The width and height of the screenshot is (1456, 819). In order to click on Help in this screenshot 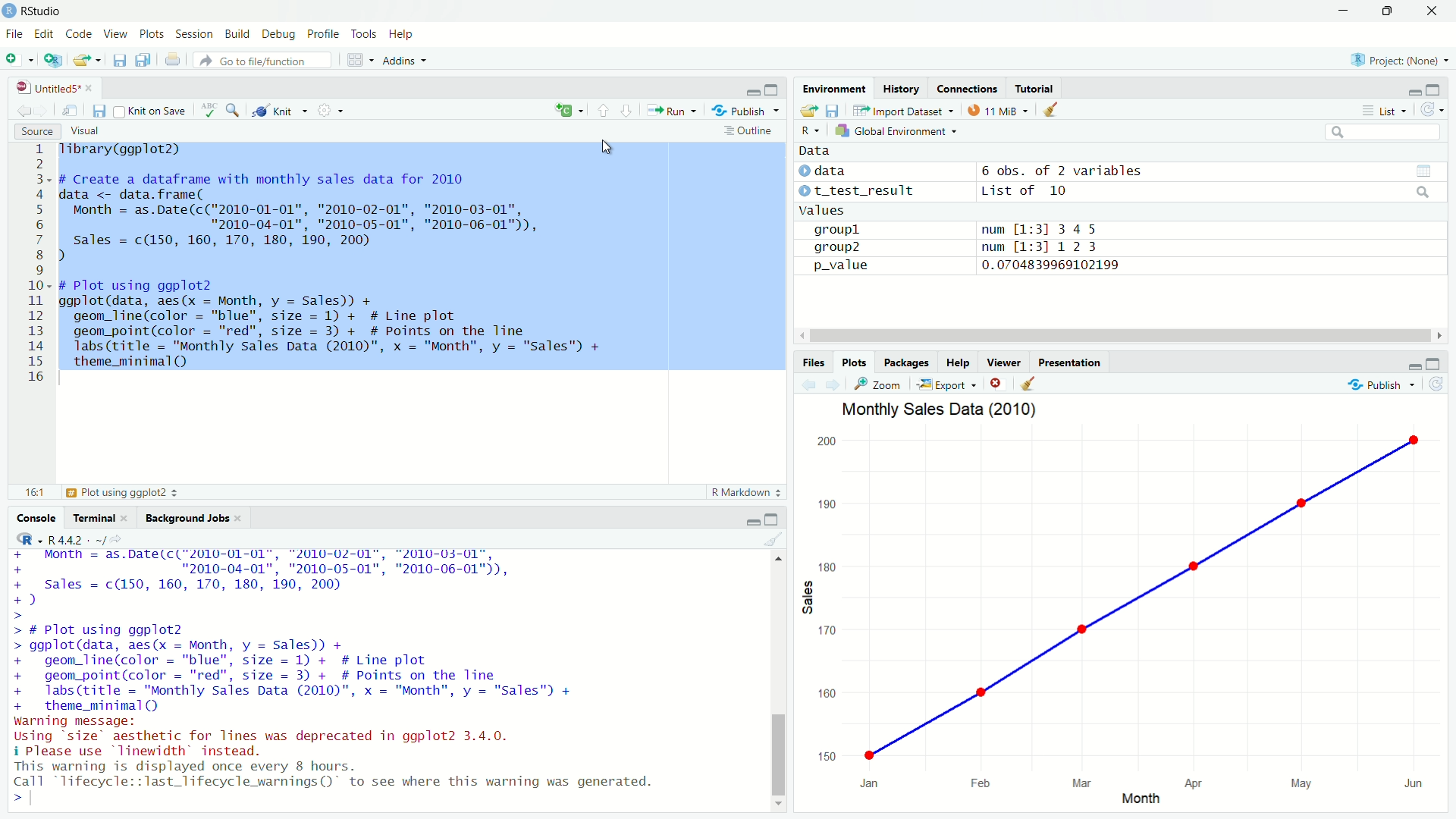, I will do `click(957, 362)`.